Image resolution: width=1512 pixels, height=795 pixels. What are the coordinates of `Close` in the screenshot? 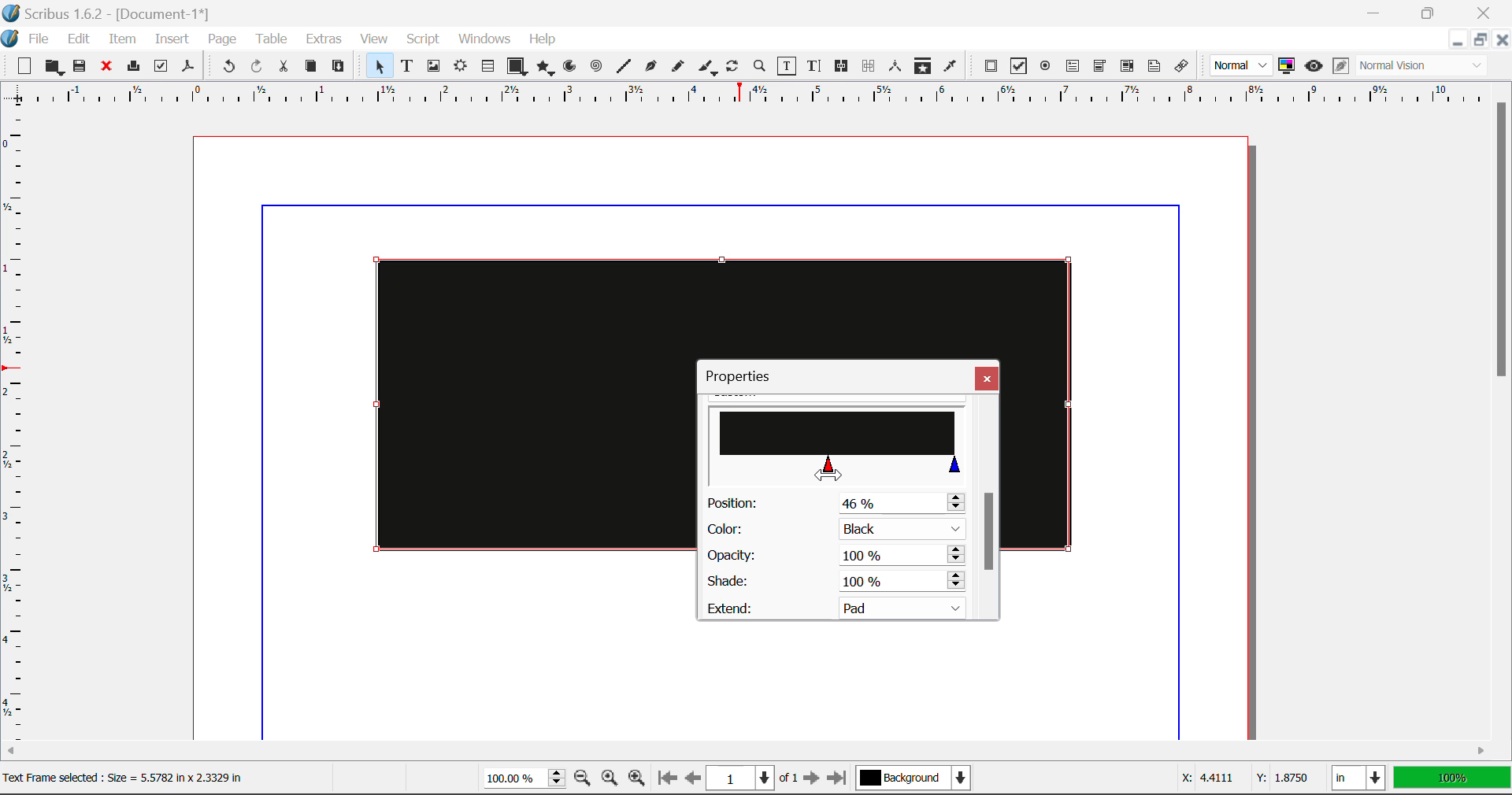 It's located at (987, 378).